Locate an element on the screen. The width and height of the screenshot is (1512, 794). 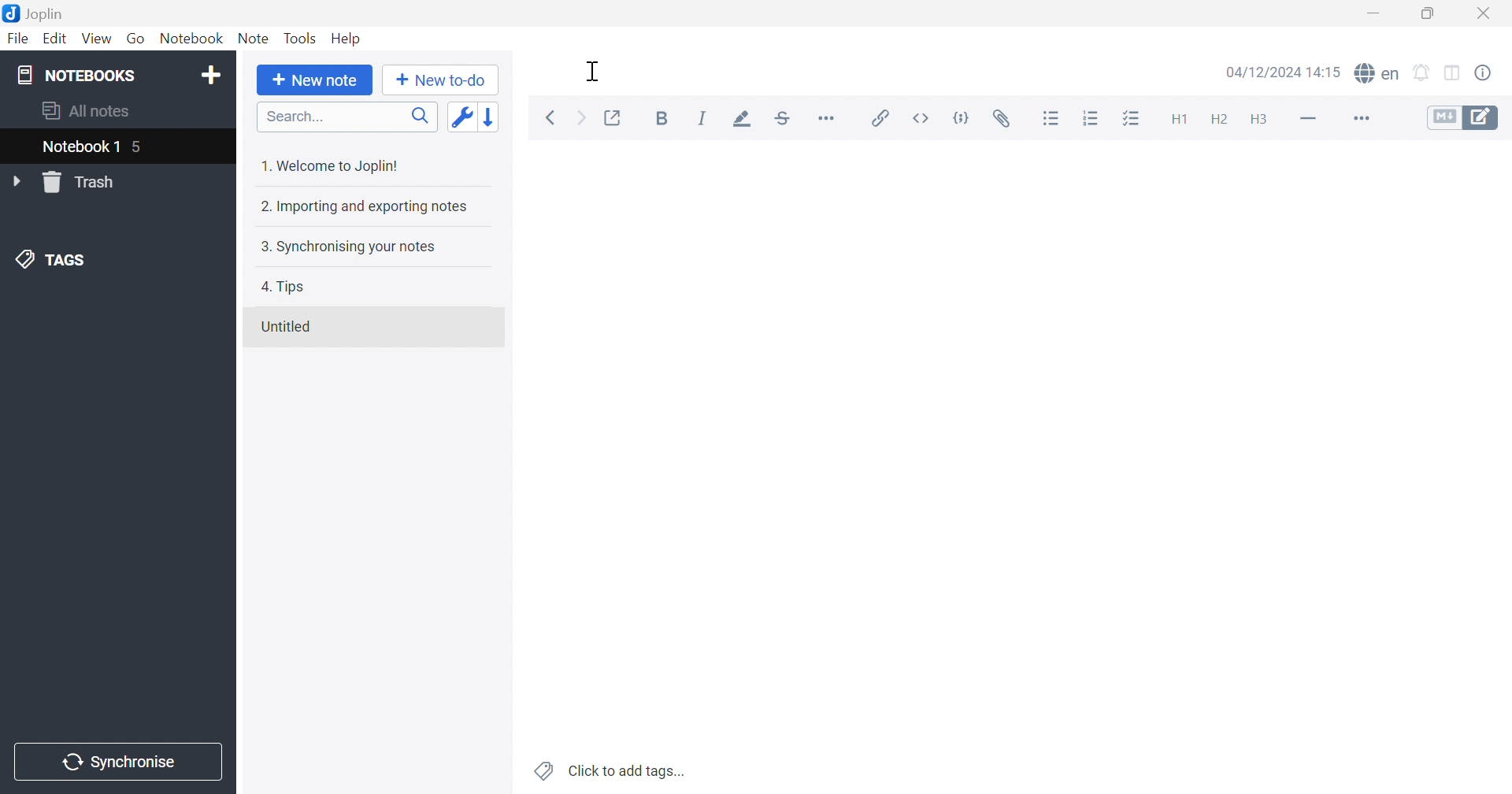
More... is located at coordinates (1359, 120).